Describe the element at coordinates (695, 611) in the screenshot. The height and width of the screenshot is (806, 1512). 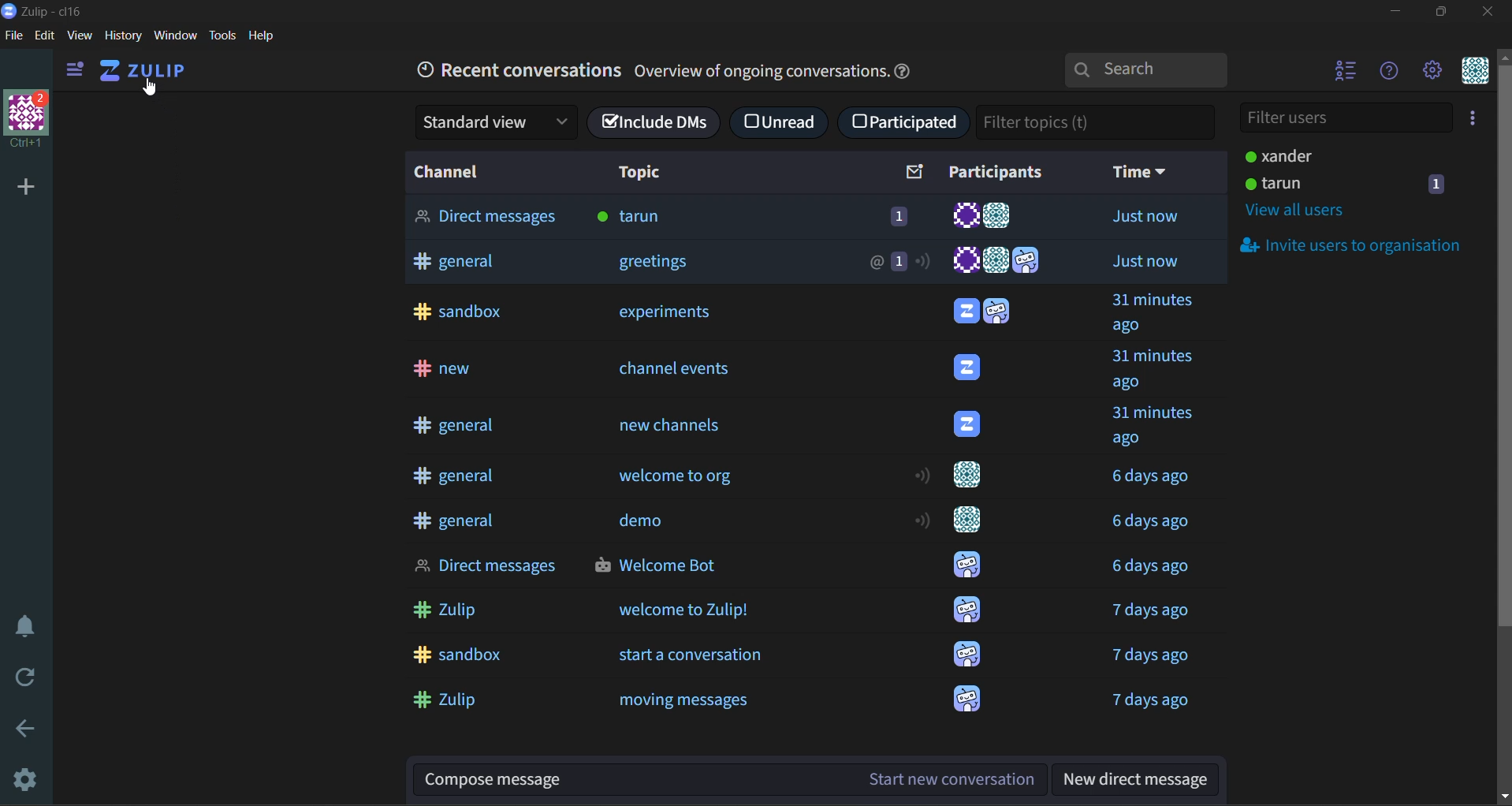
I see `welcome to Zulip!` at that location.